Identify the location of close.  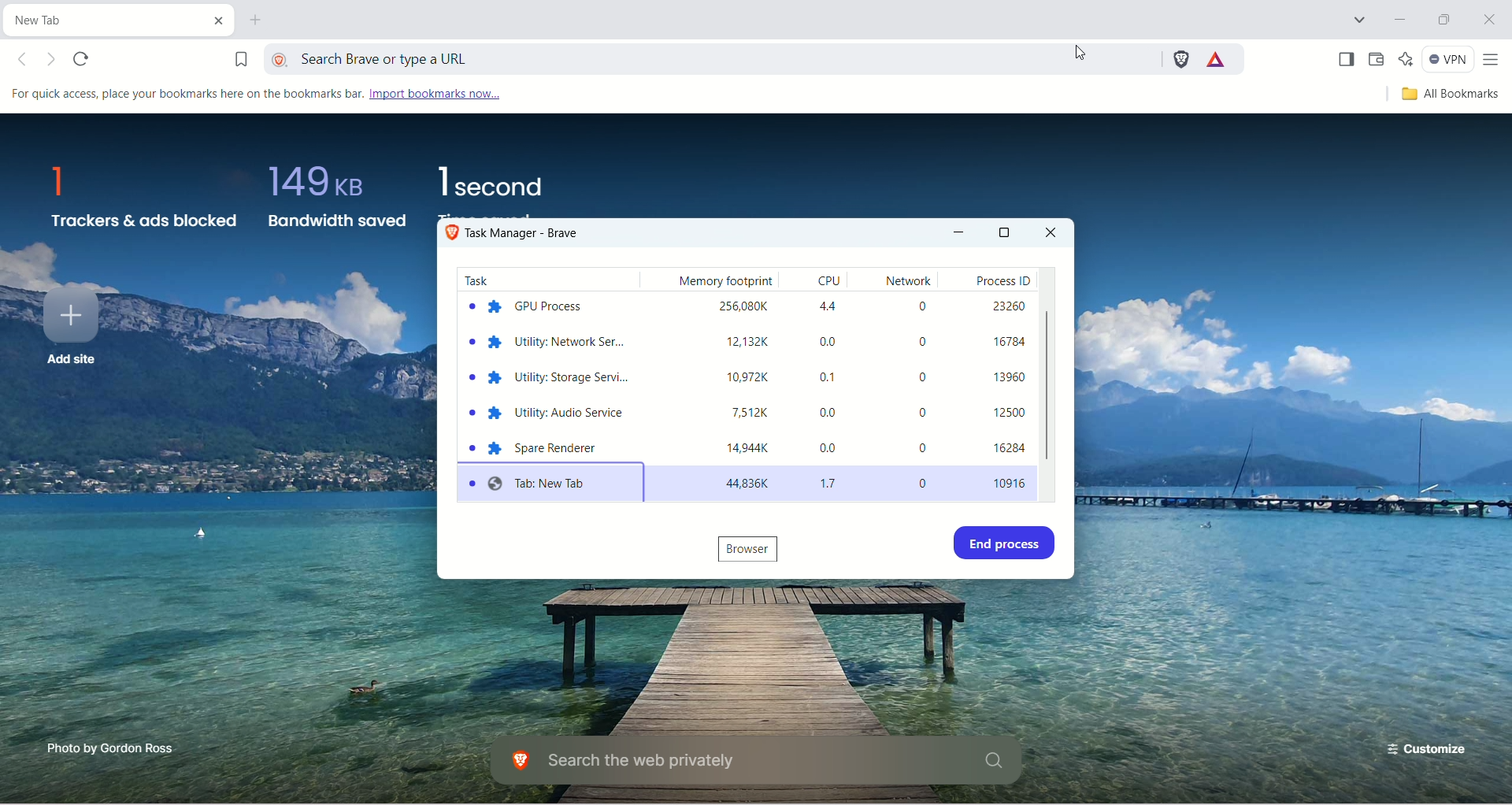
(1052, 233).